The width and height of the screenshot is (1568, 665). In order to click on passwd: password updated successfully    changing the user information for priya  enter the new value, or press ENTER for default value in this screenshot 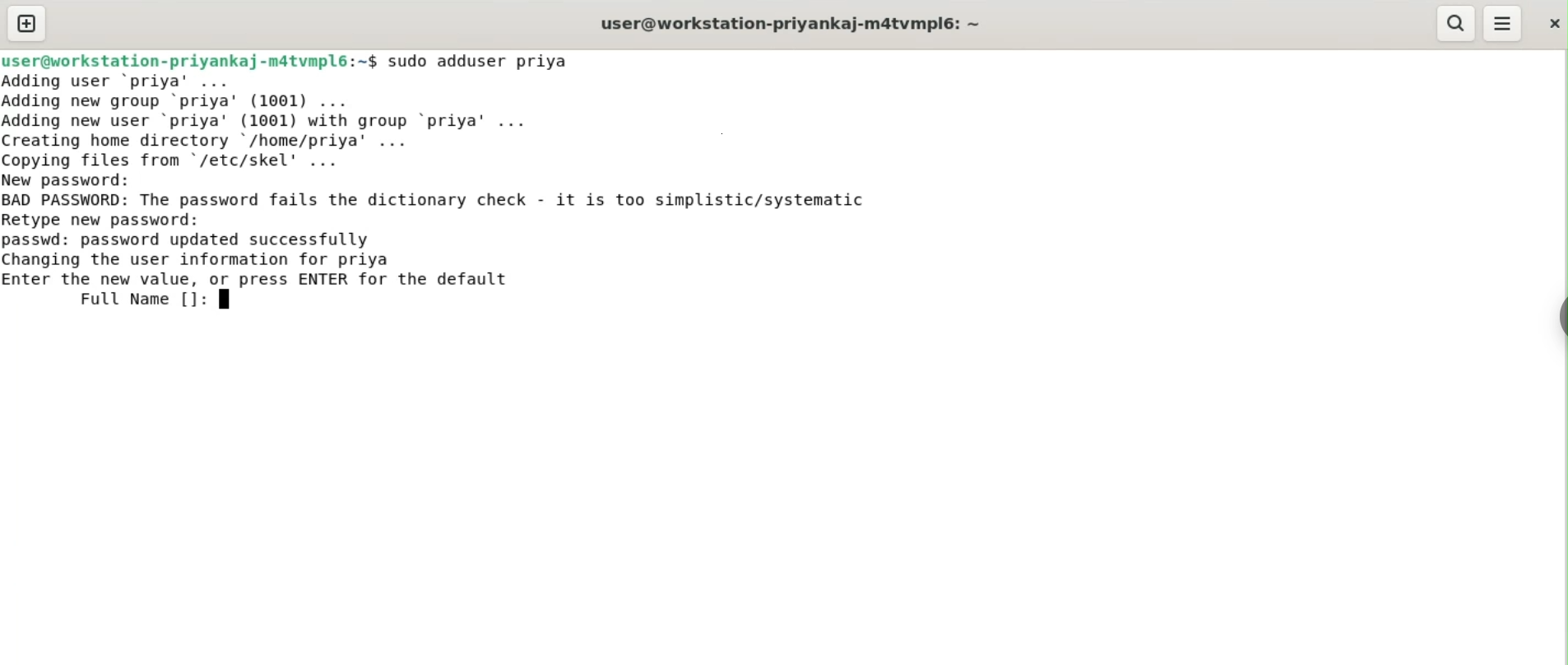, I will do `click(295, 257)`.